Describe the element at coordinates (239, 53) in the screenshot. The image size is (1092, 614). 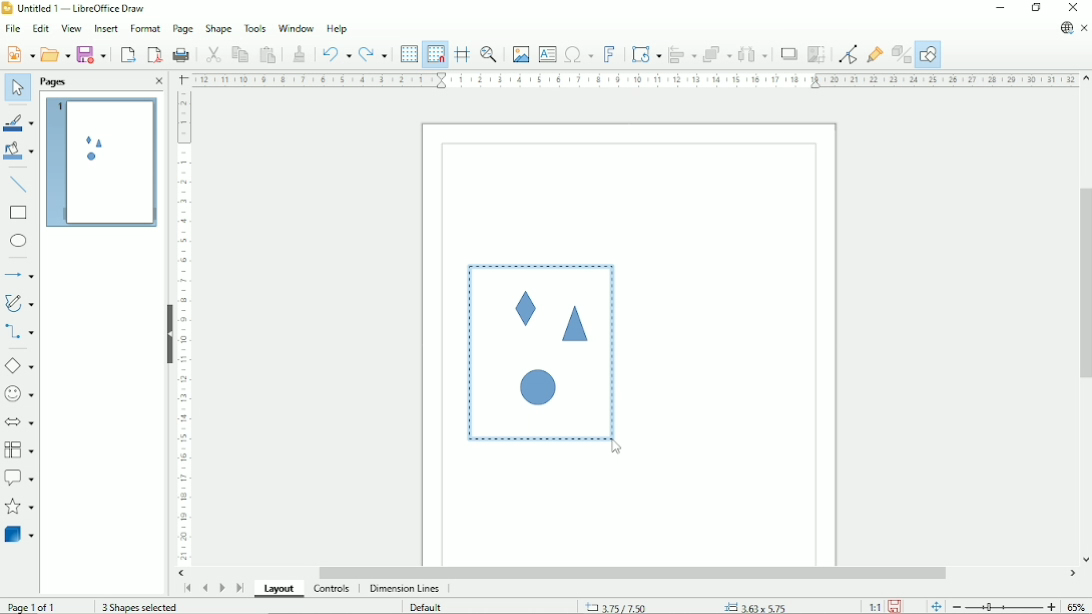
I see `Copy` at that location.